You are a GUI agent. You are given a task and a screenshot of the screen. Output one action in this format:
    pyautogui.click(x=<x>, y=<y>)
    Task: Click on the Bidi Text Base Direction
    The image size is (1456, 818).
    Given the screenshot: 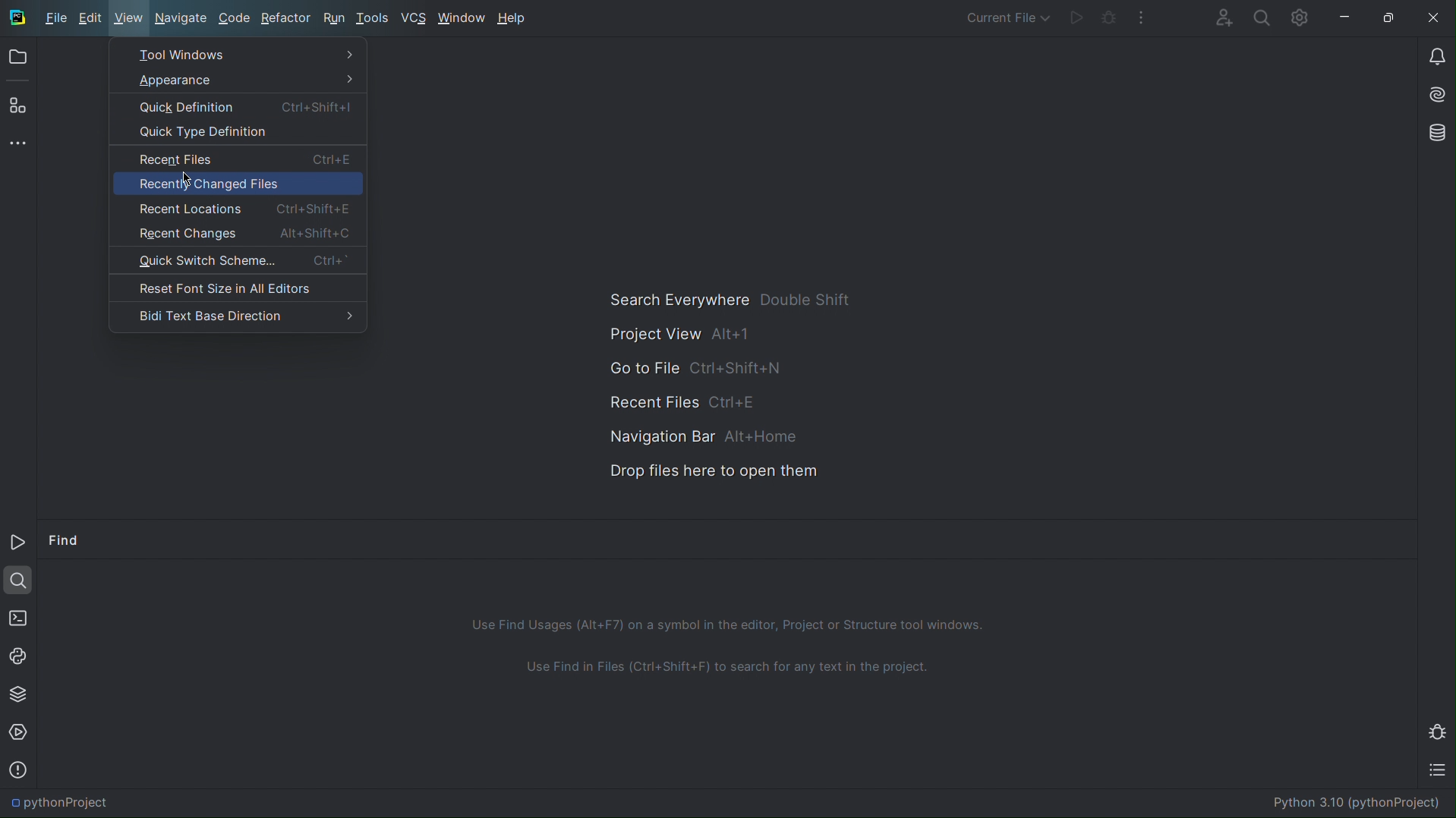 What is the action you would take?
    pyautogui.click(x=238, y=314)
    